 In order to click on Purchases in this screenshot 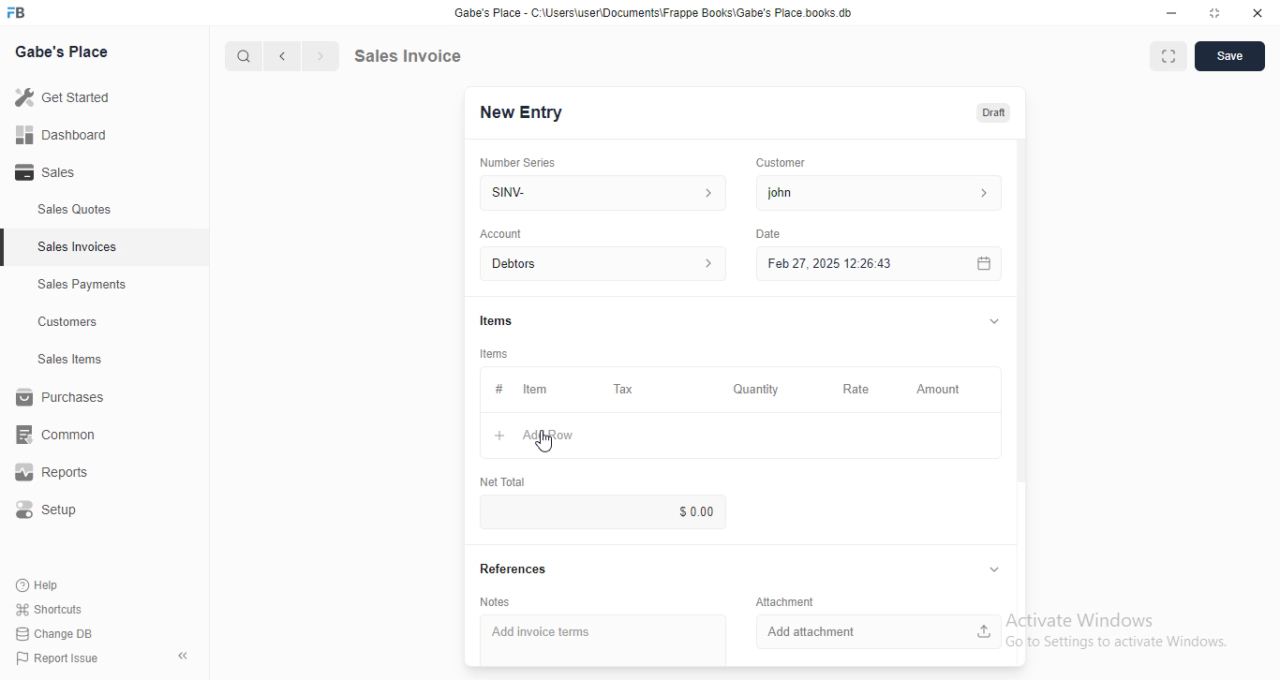, I will do `click(59, 397)`.